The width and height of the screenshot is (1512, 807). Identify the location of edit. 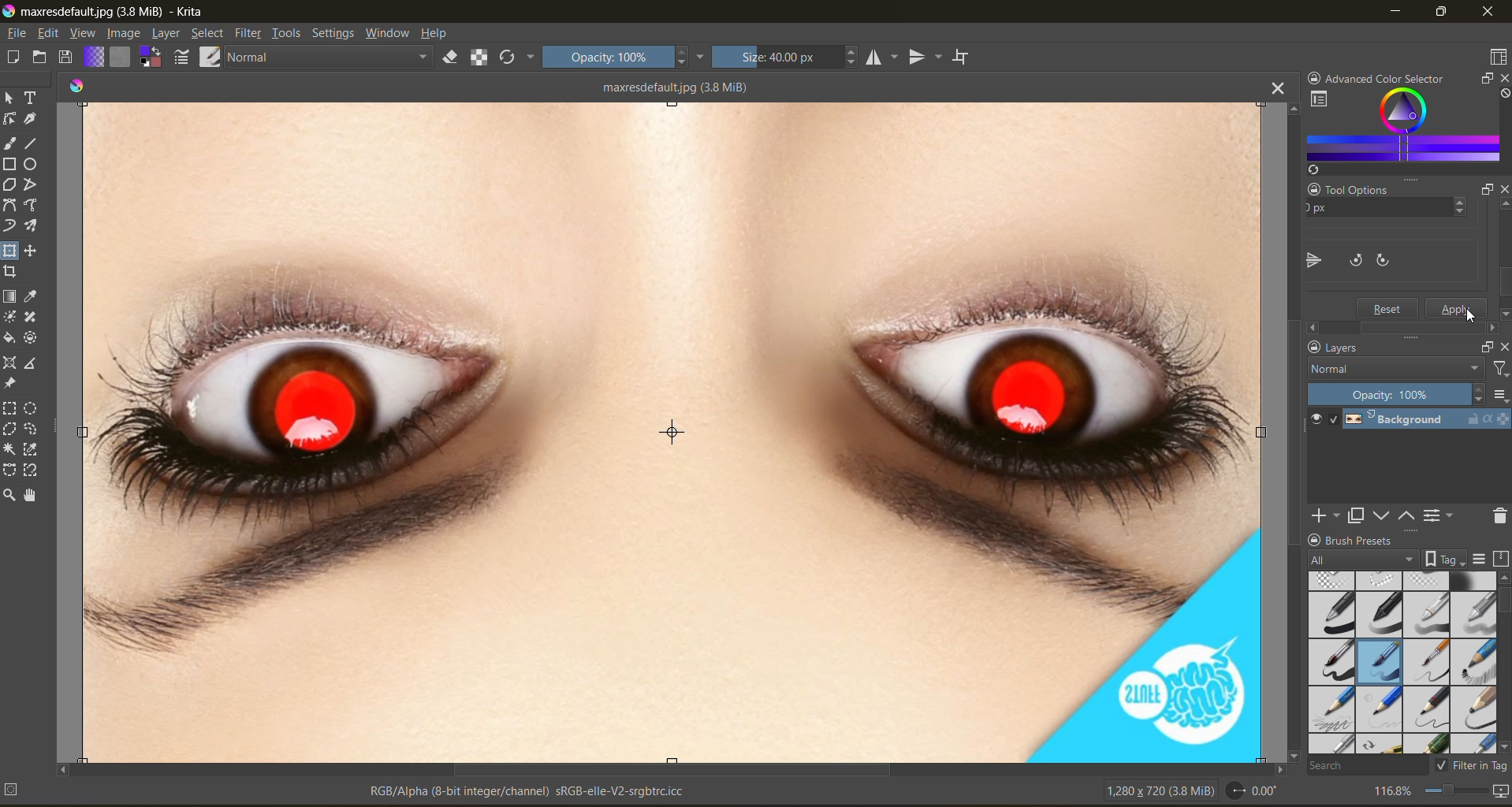
(48, 33).